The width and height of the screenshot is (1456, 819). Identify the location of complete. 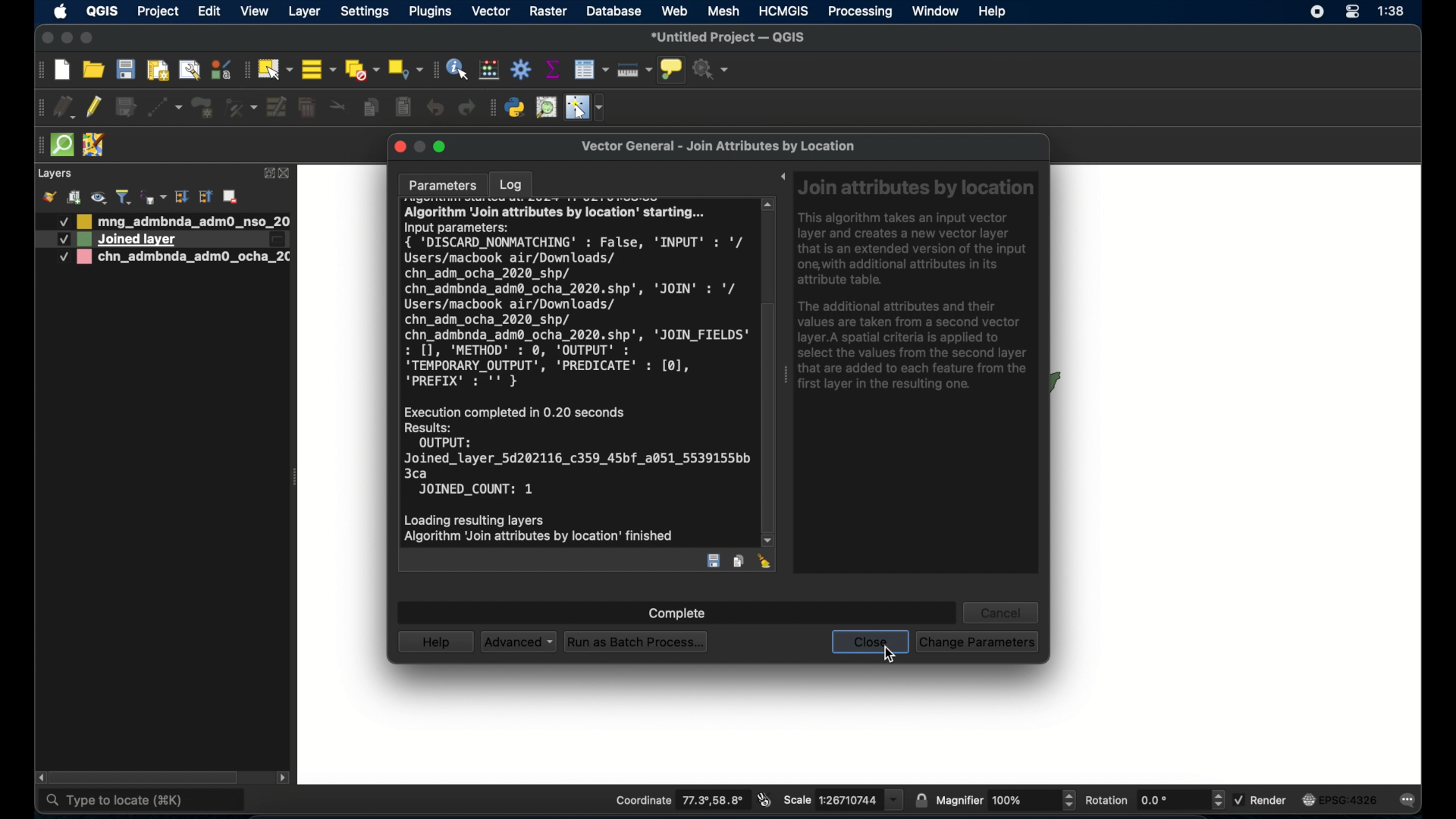
(682, 614).